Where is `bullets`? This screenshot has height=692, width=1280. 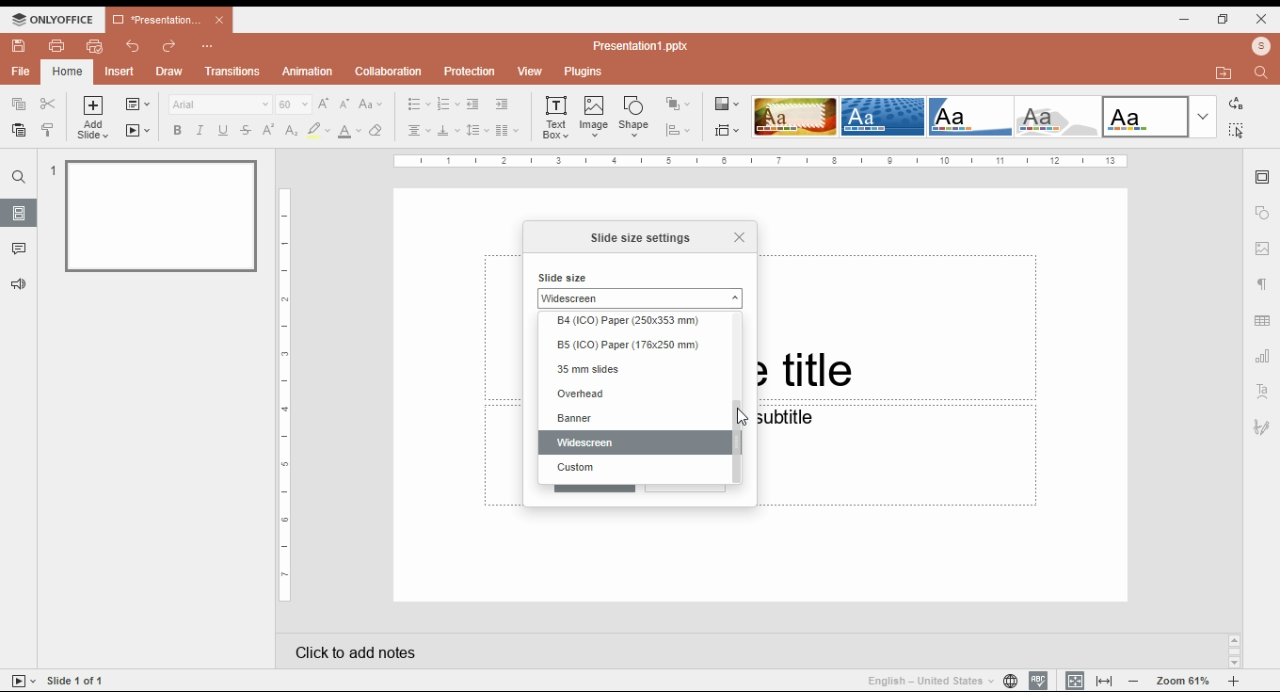 bullets is located at coordinates (419, 104).